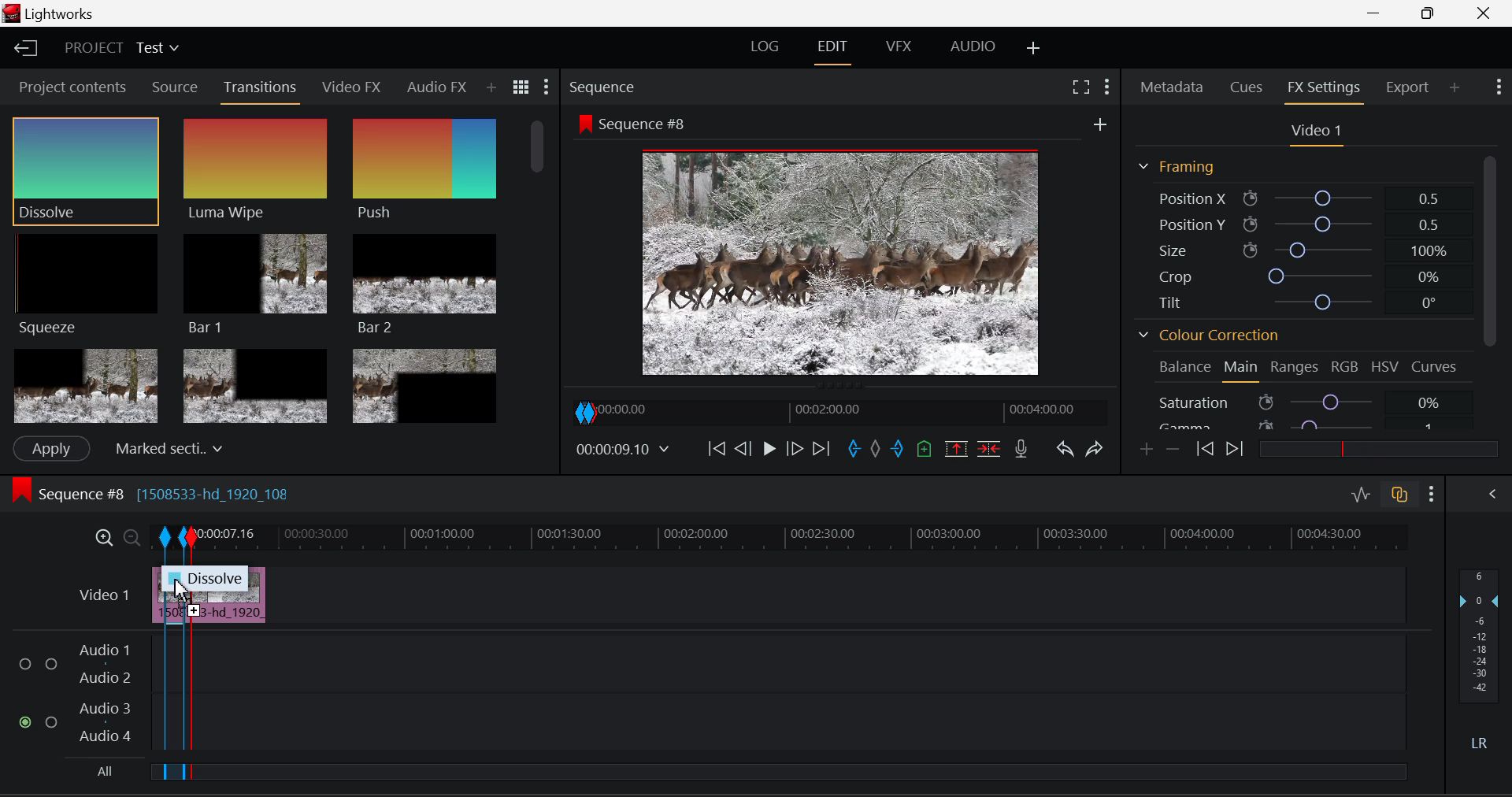 The width and height of the screenshot is (1512, 797). What do you see at coordinates (622, 449) in the screenshot?
I see `Frame Time` at bounding box center [622, 449].